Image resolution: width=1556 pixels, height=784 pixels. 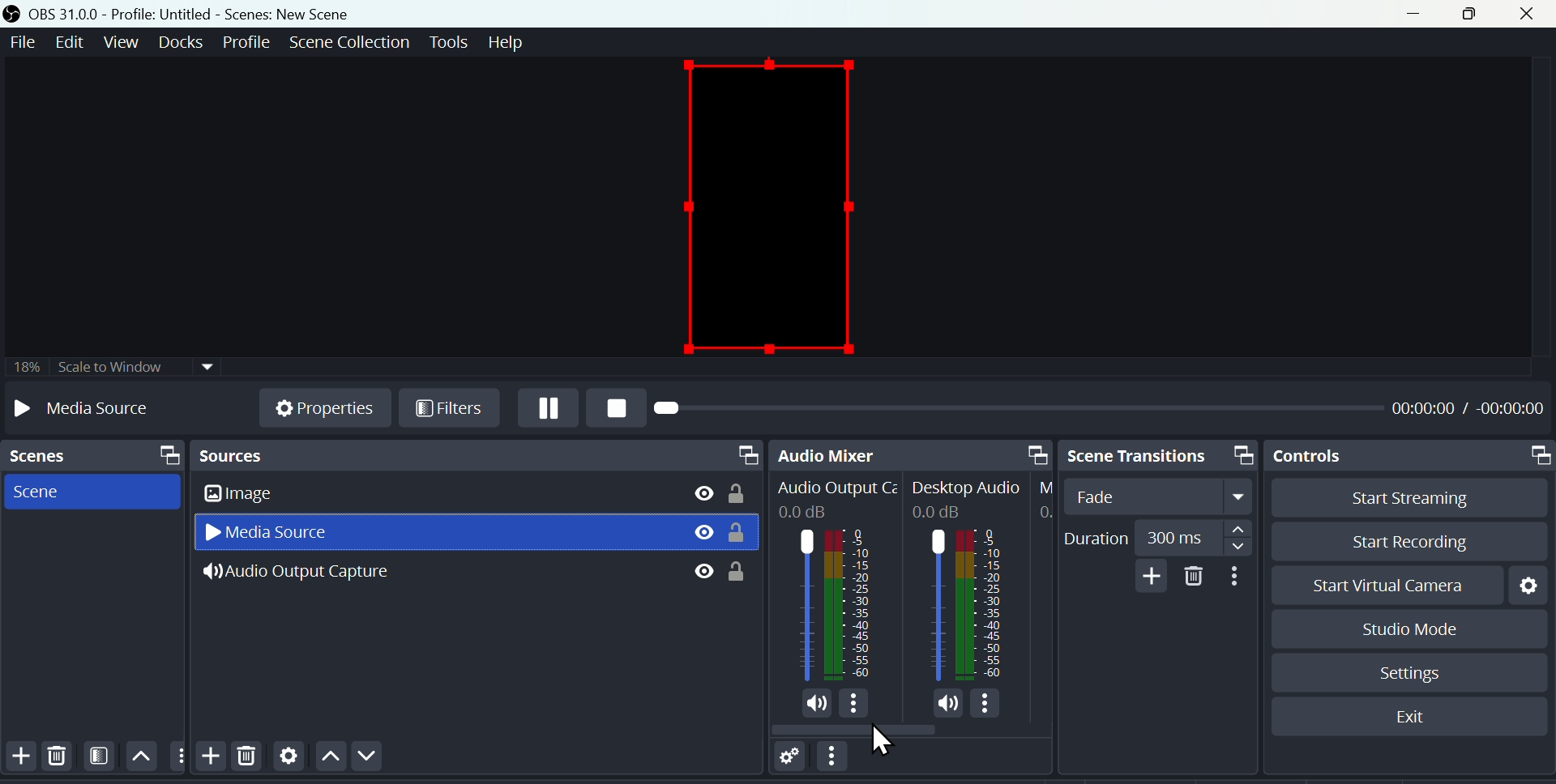 I want to click on Settings, so click(x=1528, y=583).